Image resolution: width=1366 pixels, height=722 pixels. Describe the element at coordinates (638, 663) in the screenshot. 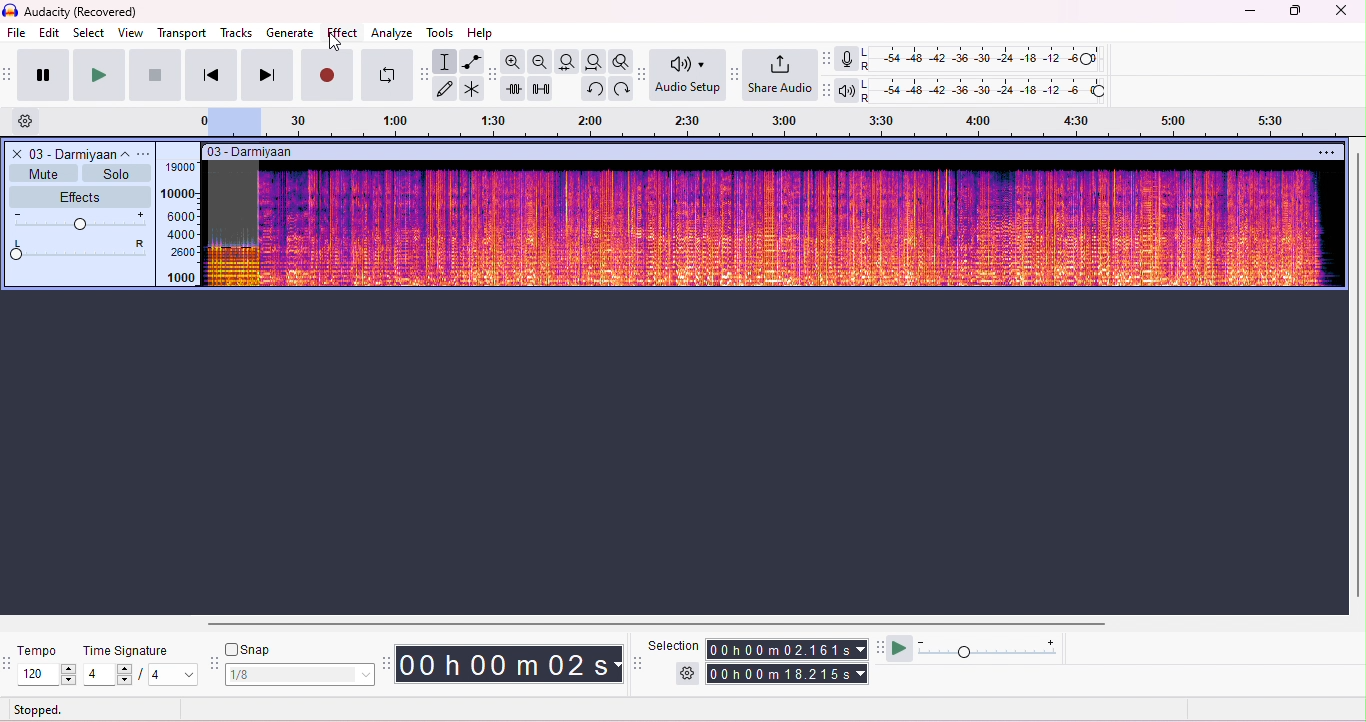

I see `selection tool bar` at that location.